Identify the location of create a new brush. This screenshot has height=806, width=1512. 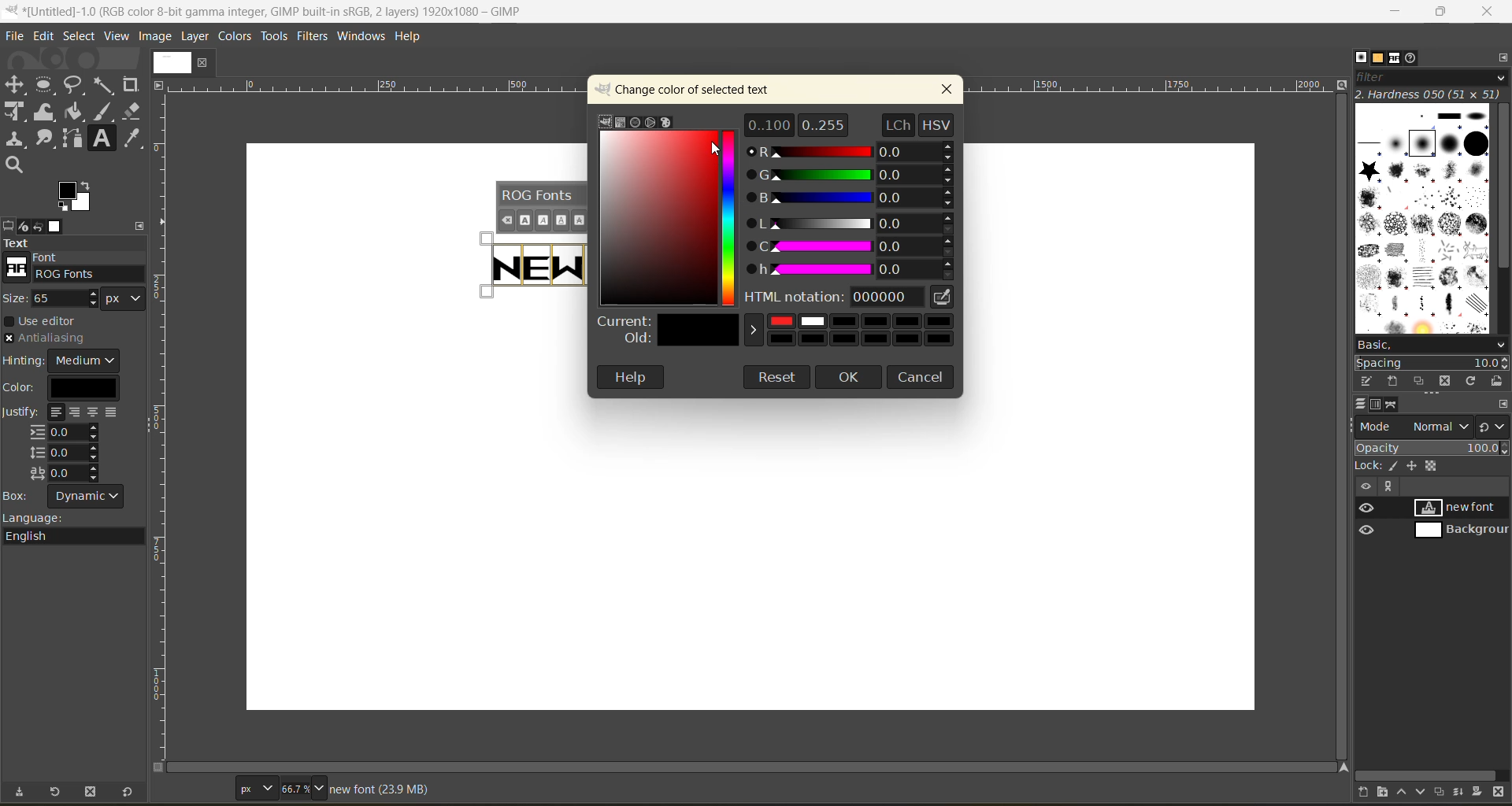
(1392, 382).